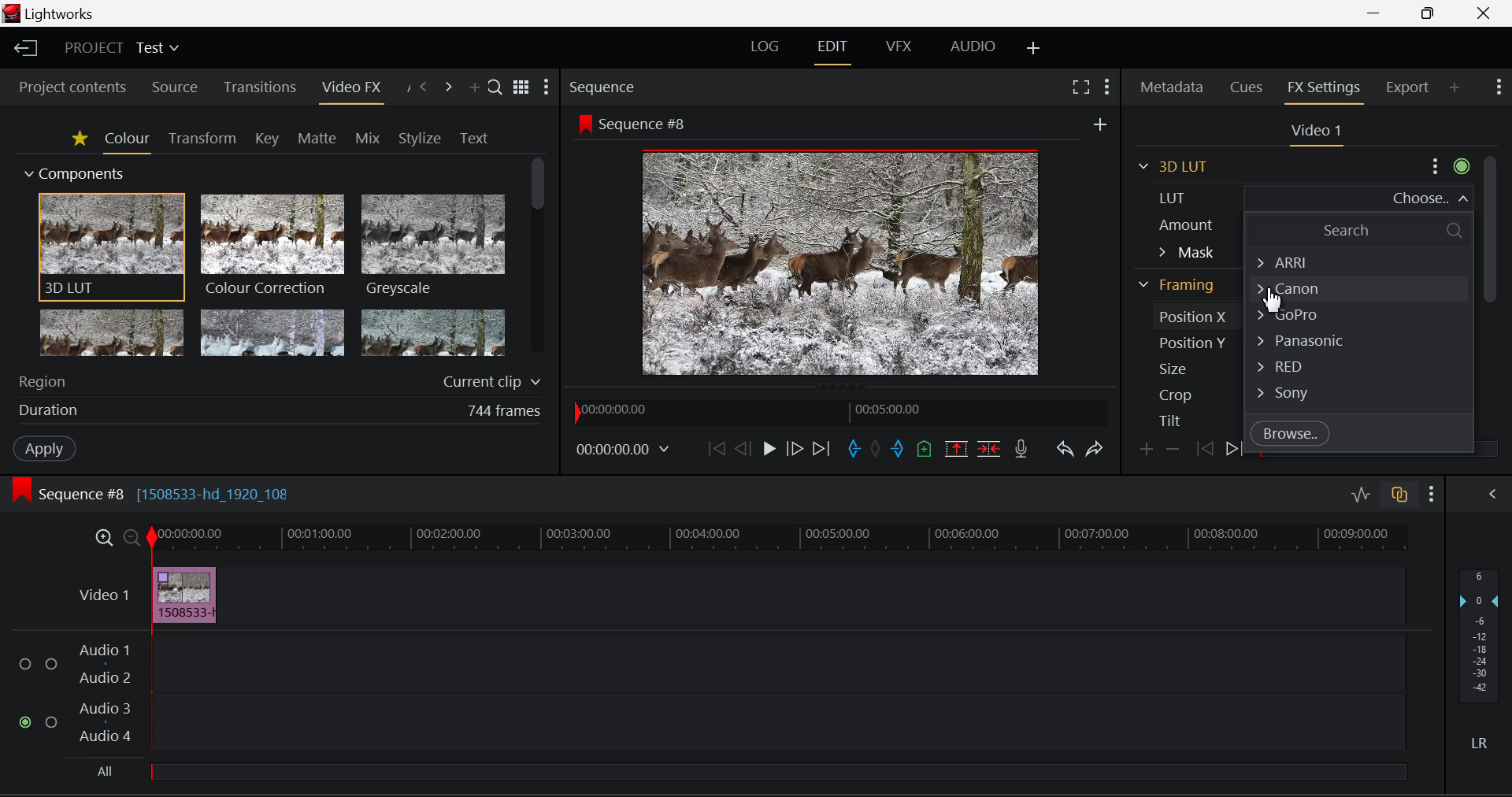 The height and width of the screenshot is (797, 1512). Describe the element at coordinates (1430, 13) in the screenshot. I see `Minimize` at that location.